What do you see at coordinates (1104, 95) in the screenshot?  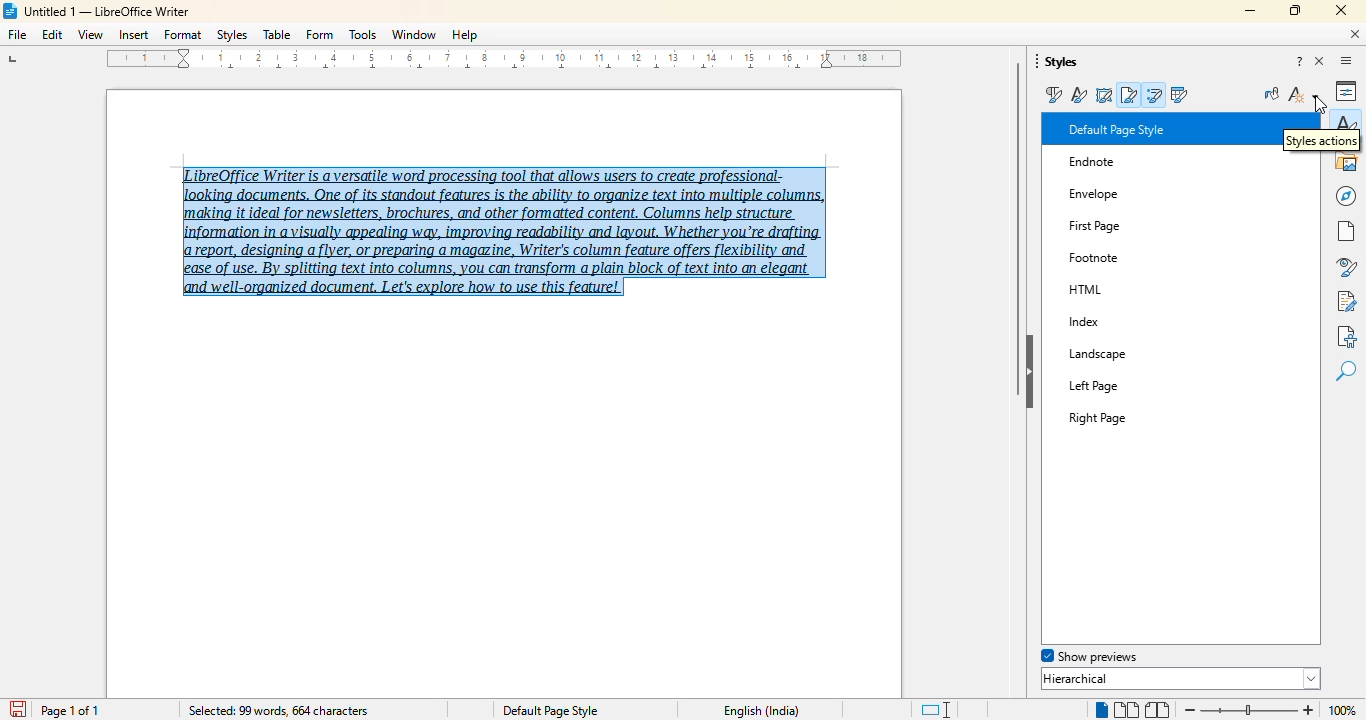 I see `frame styles` at bounding box center [1104, 95].